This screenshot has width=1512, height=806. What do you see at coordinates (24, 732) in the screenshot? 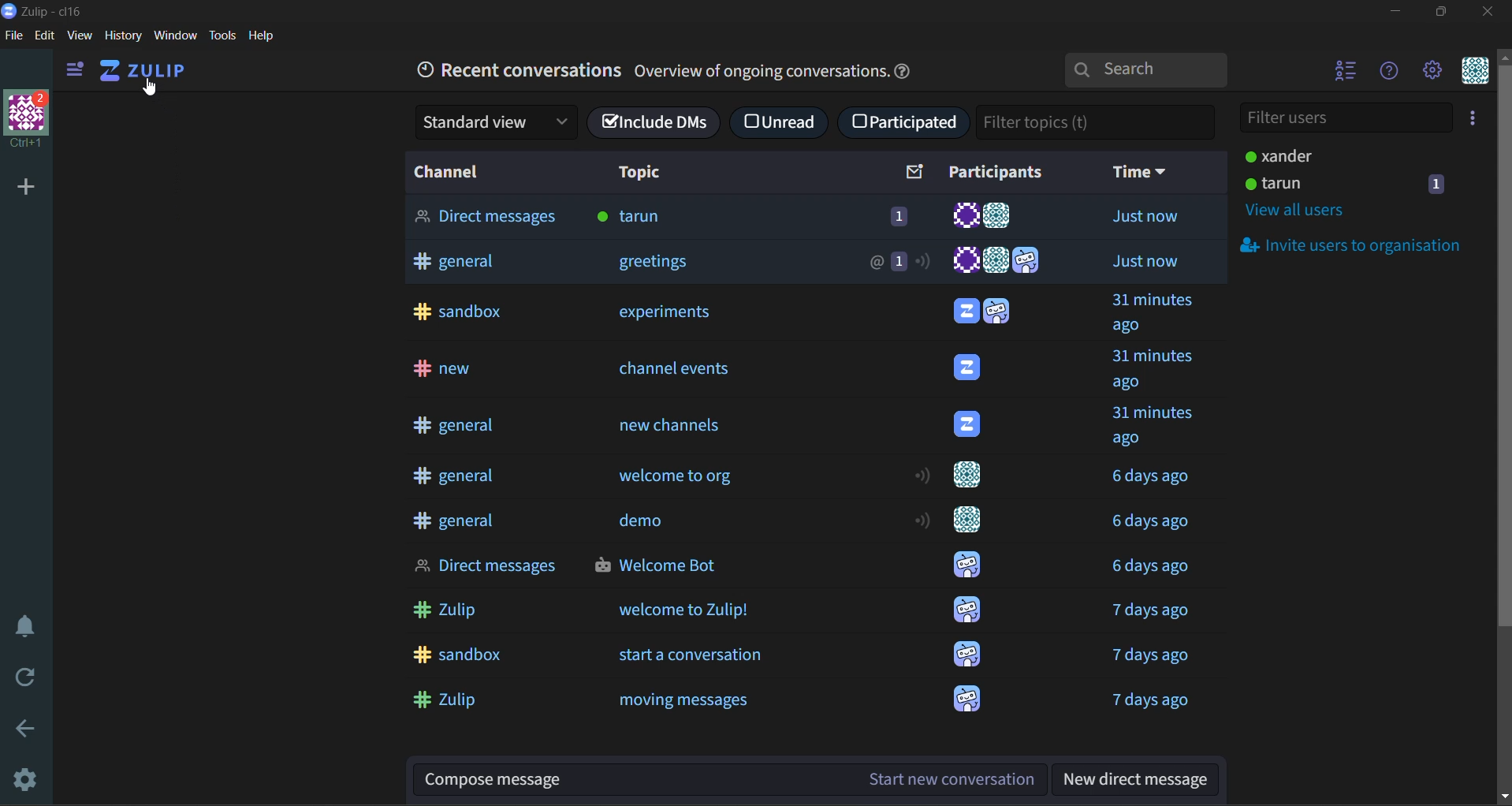
I see `go back` at bounding box center [24, 732].